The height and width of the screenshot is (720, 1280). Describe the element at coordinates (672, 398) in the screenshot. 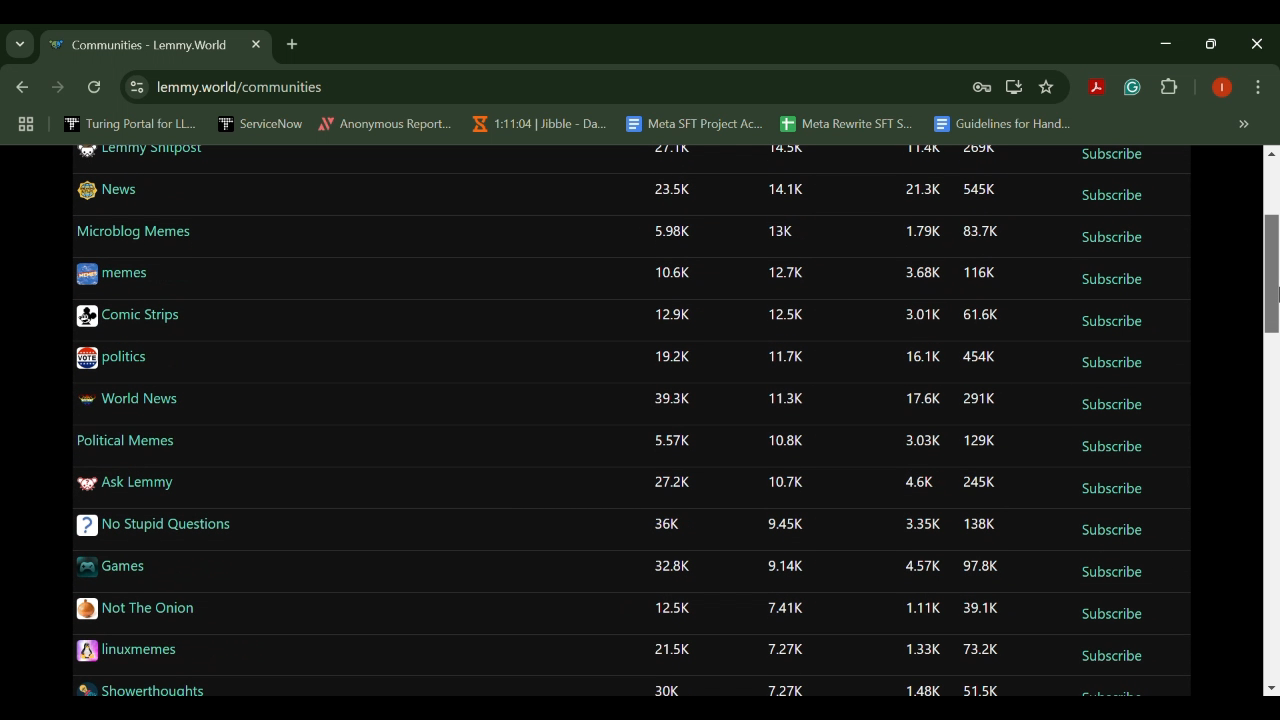

I see `39.3K` at that location.